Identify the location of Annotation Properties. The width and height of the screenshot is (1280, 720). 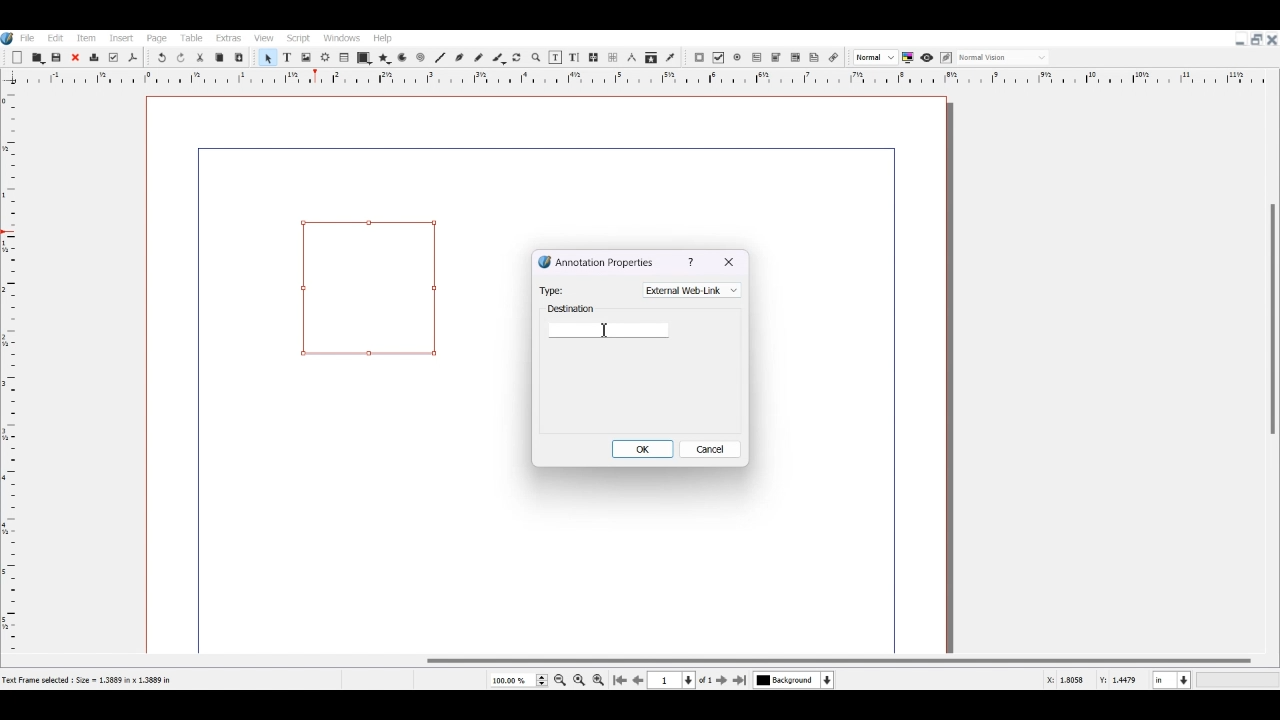
(596, 261).